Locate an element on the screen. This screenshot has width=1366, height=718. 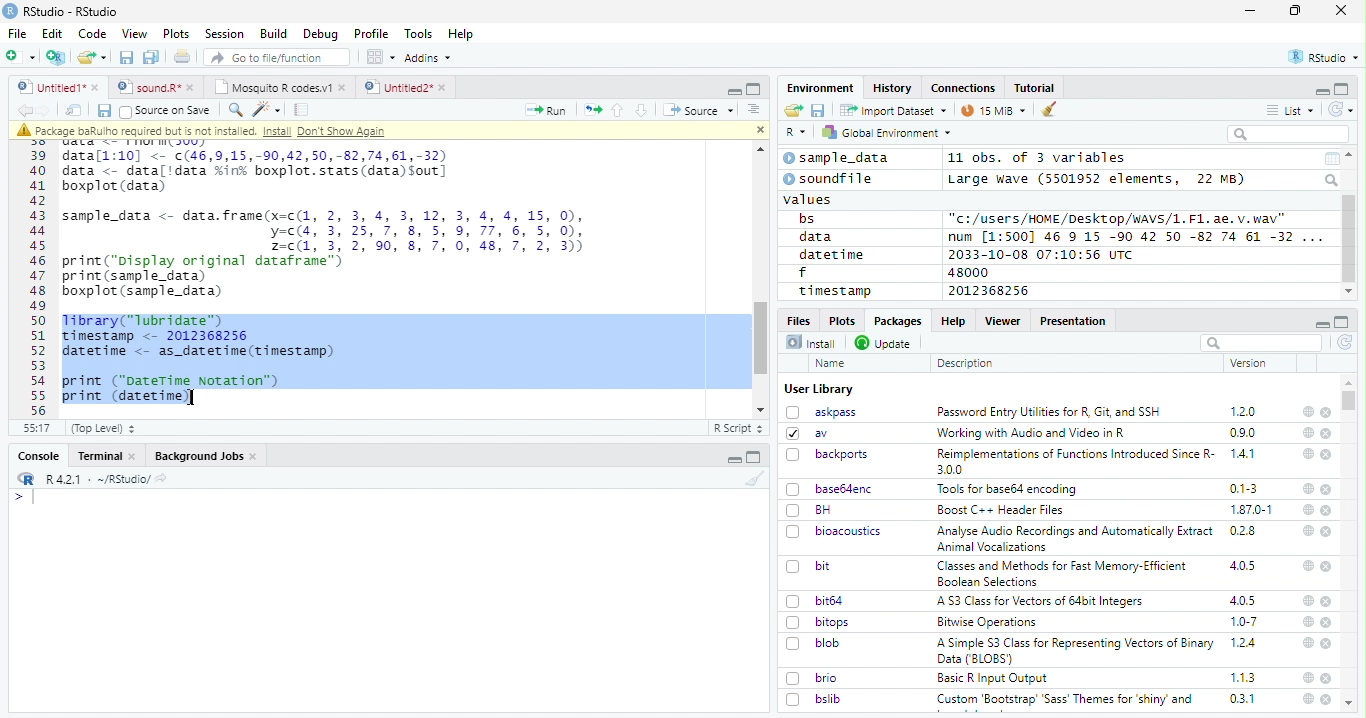
Show in new window is located at coordinates (76, 110).